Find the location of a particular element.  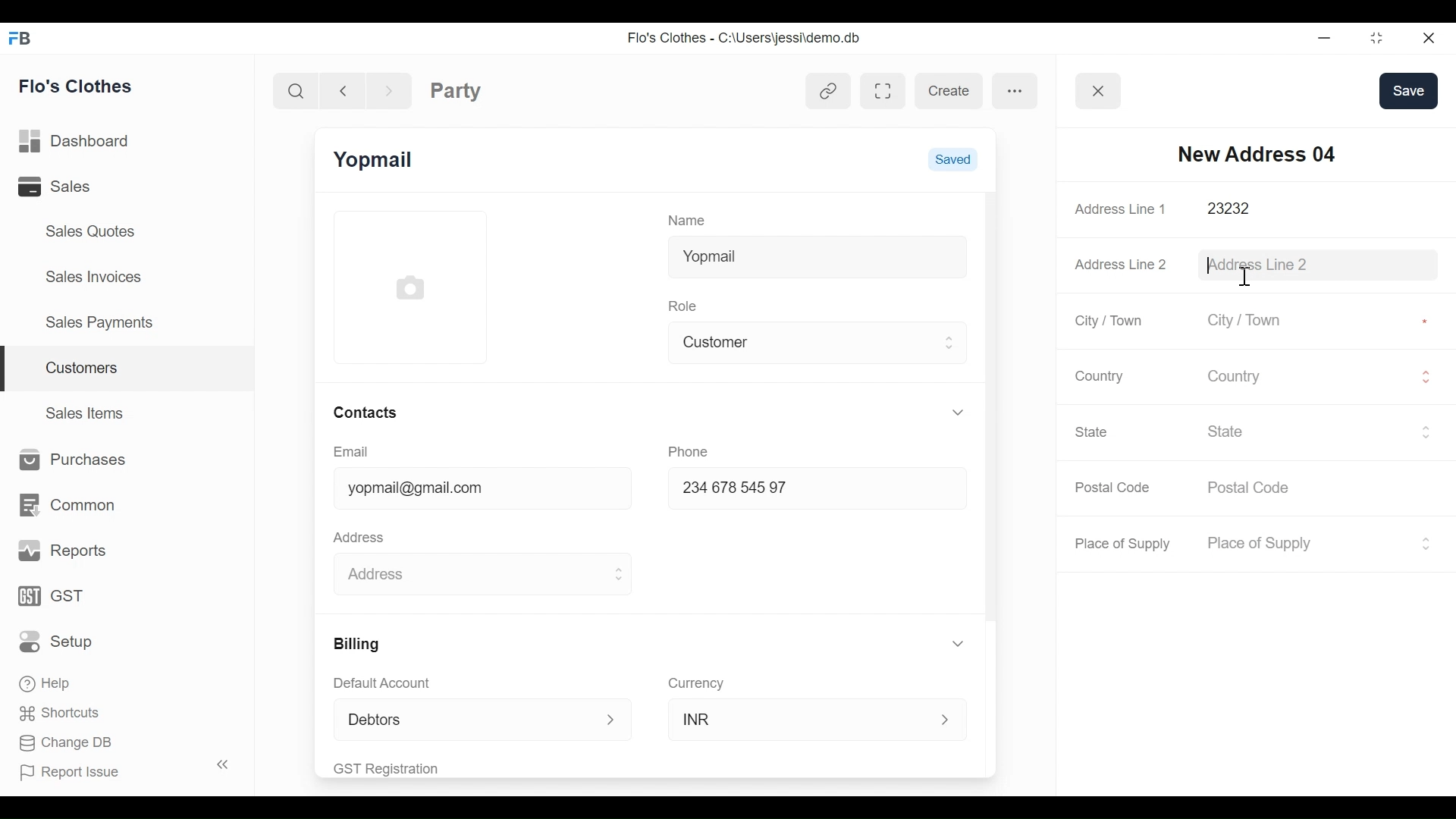

Postal Code is located at coordinates (1115, 488).